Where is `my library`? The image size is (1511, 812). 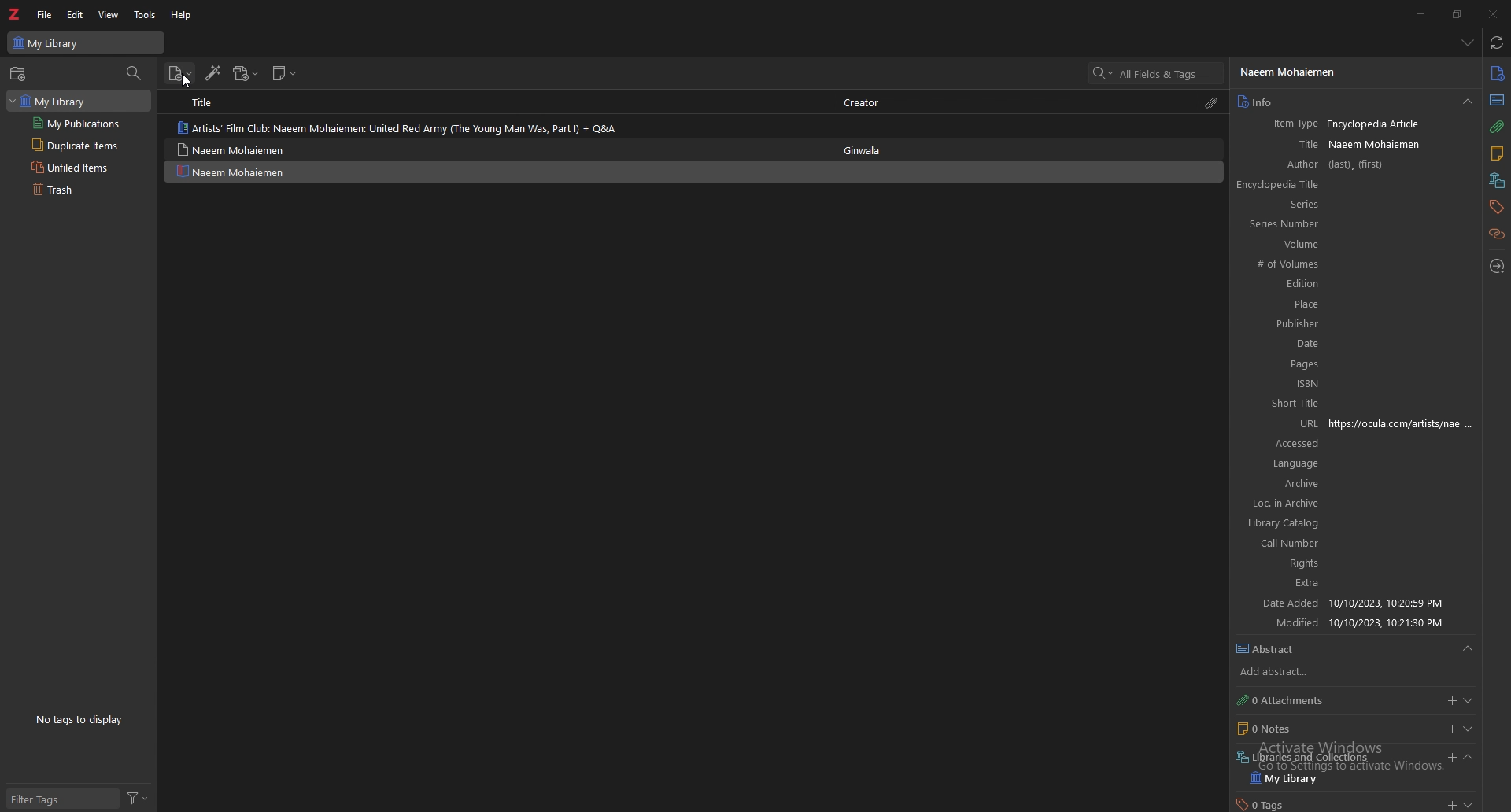 my library is located at coordinates (1348, 778).